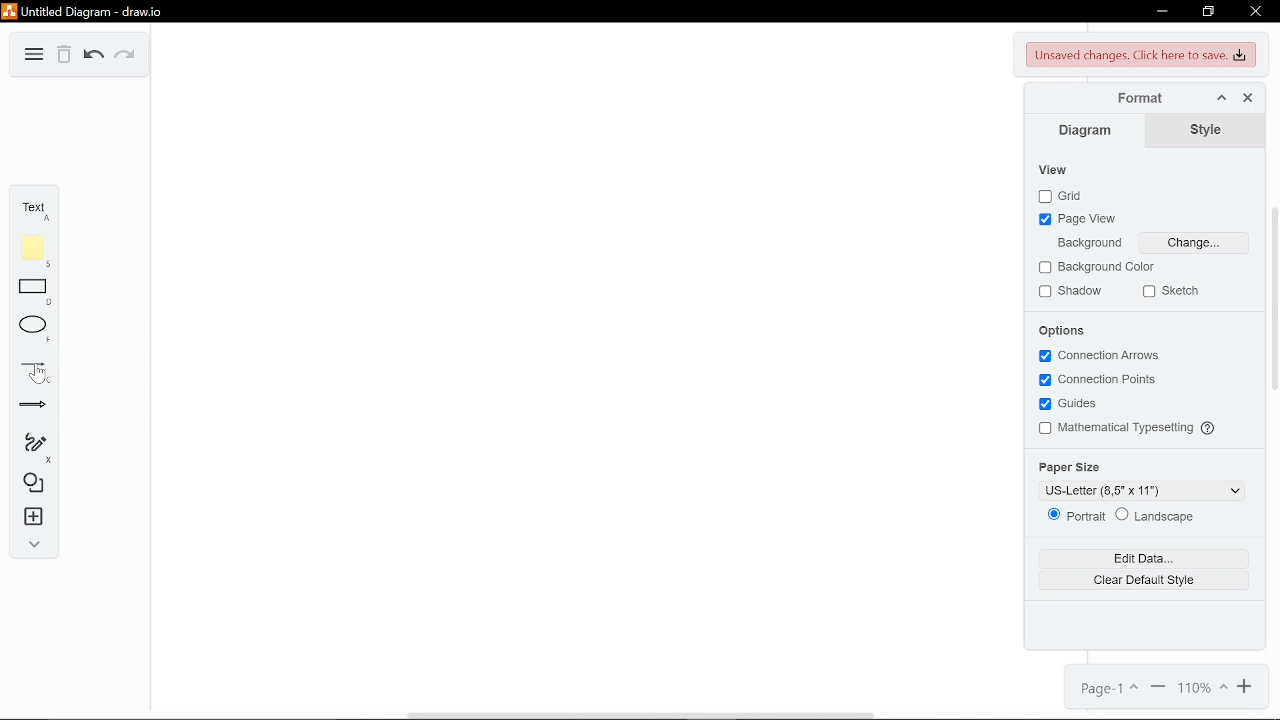  Describe the element at coordinates (1130, 98) in the screenshot. I see `Format` at that location.